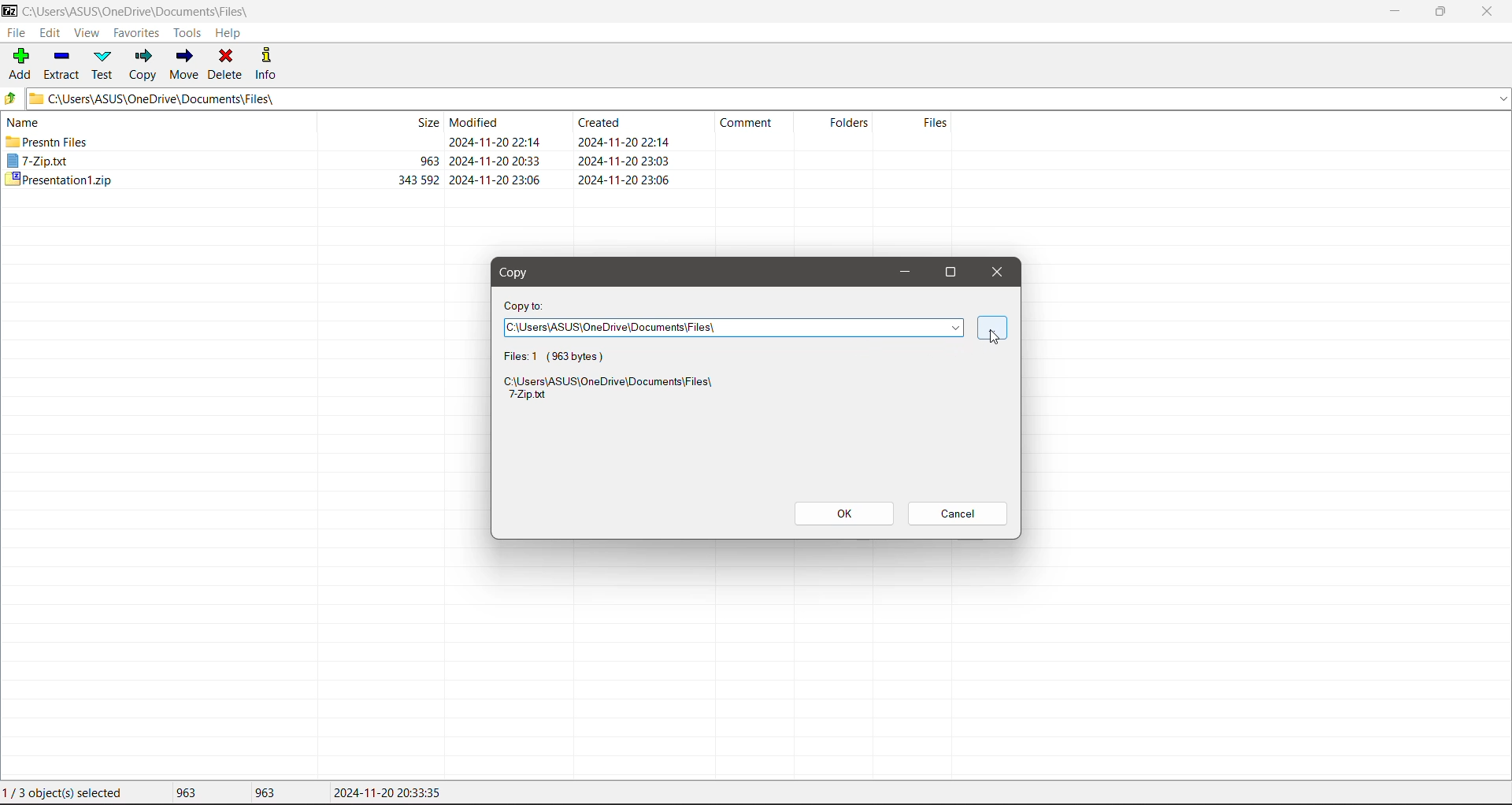  Describe the element at coordinates (104, 65) in the screenshot. I see `Test` at that location.